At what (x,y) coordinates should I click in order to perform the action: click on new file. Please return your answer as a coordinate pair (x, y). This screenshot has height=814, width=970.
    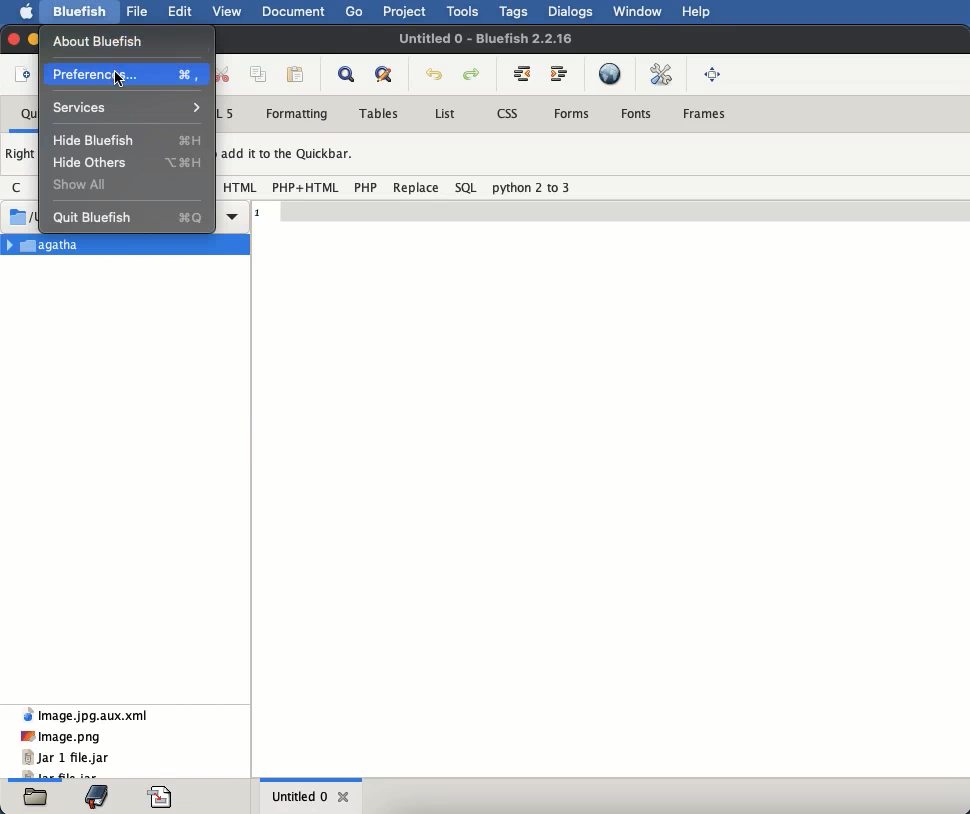
    Looking at the image, I should click on (24, 77).